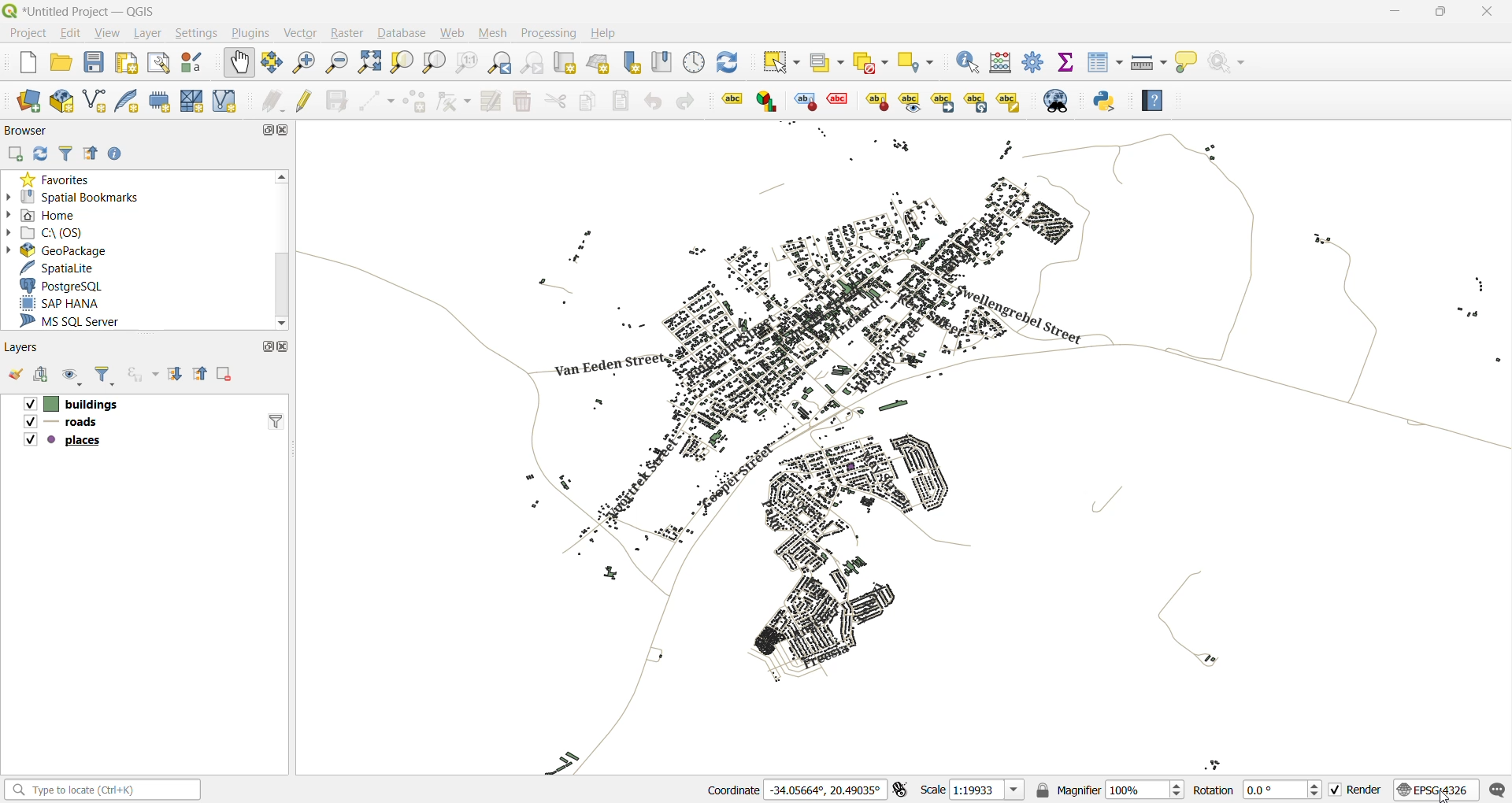 The width and height of the screenshot is (1512, 803). What do you see at coordinates (283, 250) in the screenshot?
I see `vertical scroll bar` at bounding box center [283, 250].